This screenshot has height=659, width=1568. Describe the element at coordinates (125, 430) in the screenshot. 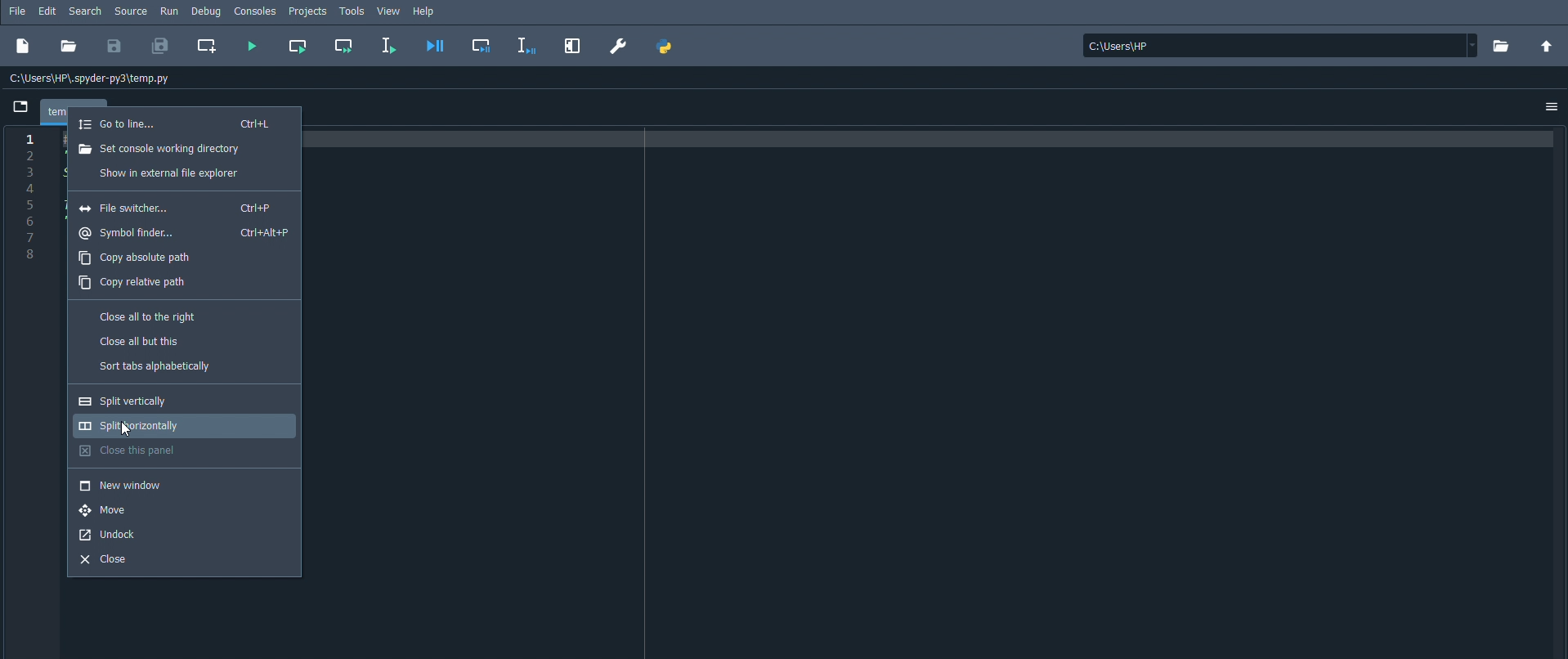

I see `Cursor` at that location.